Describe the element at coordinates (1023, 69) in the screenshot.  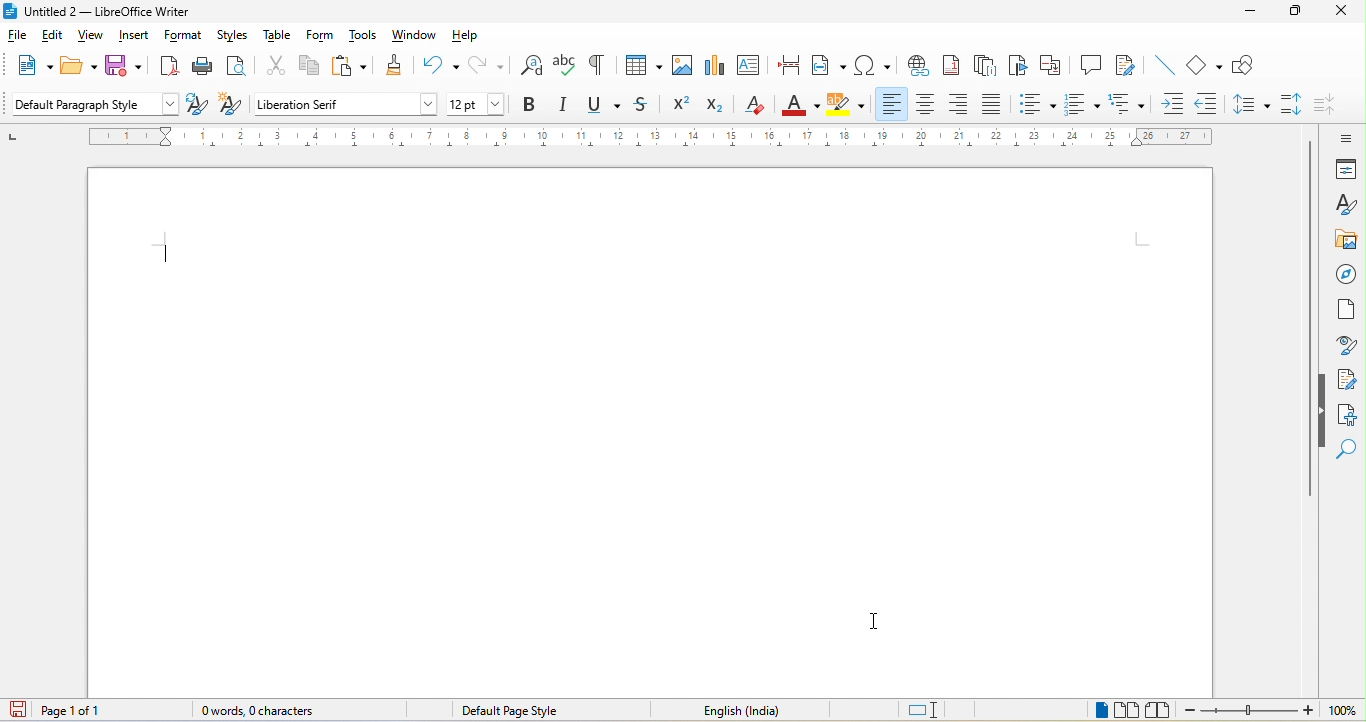
I see `bookmark` at that location.